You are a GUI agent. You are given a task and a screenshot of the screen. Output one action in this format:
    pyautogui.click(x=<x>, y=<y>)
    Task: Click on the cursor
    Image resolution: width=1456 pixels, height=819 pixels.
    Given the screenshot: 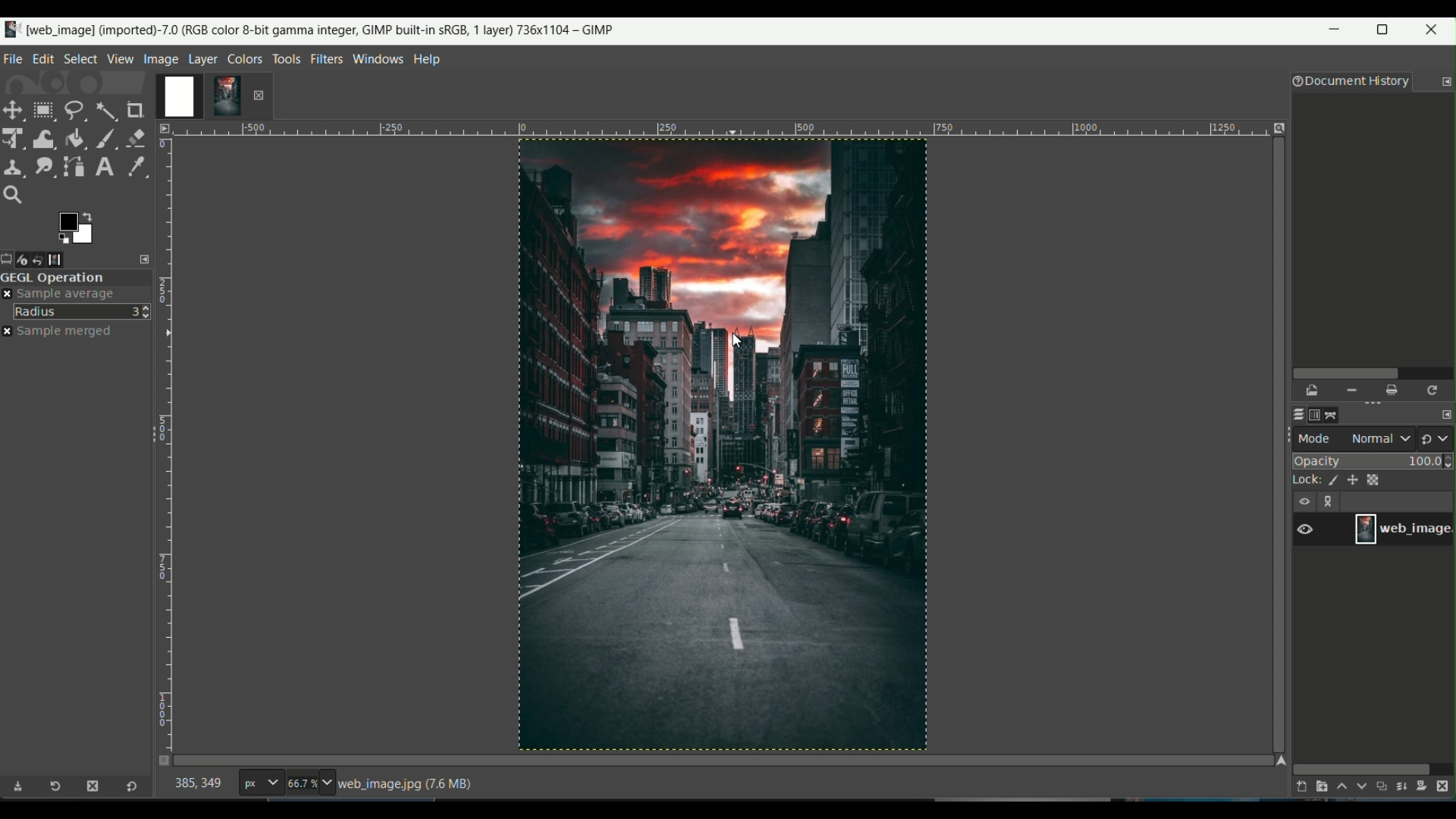 What is the action you would take?
    pyautogui.click(x=736, y=344)
    